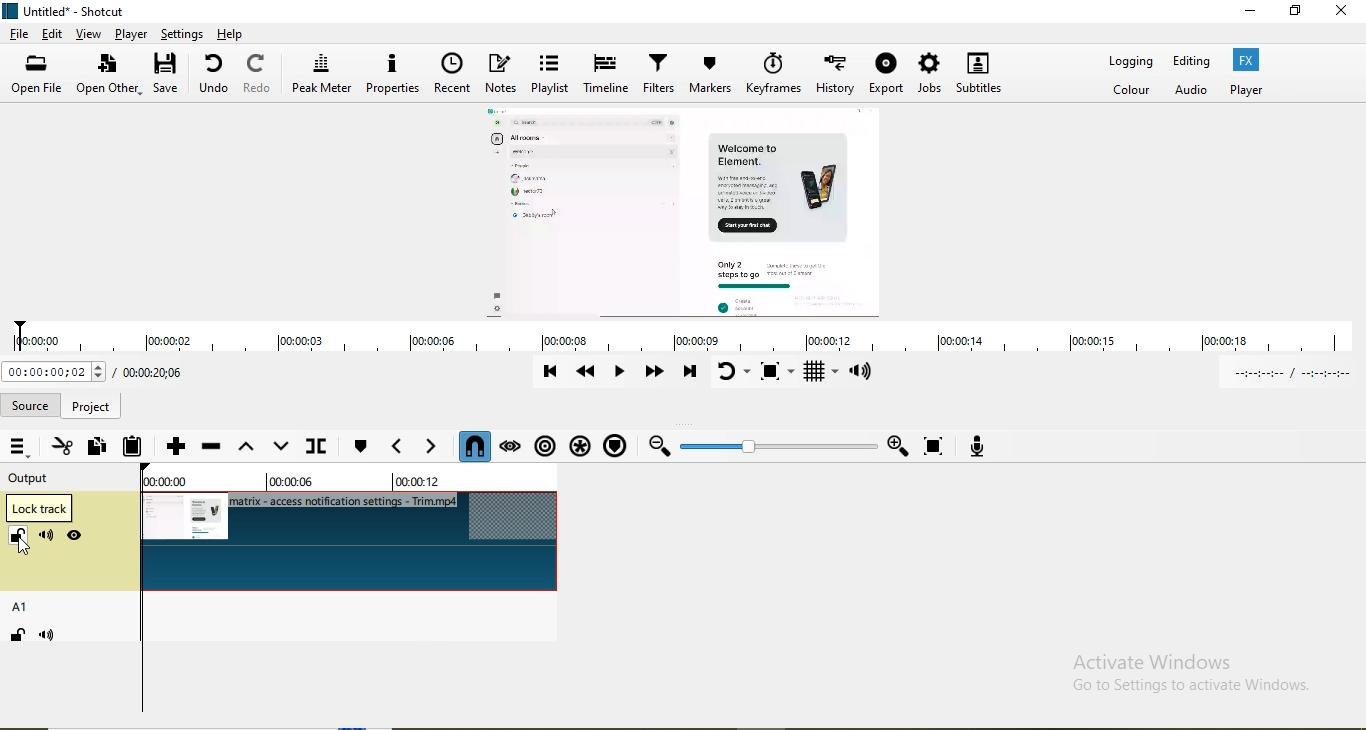  What do you see at coordinates (18, 637) in the screenshot?
I see `Lock` at bounding box center [18, 637].